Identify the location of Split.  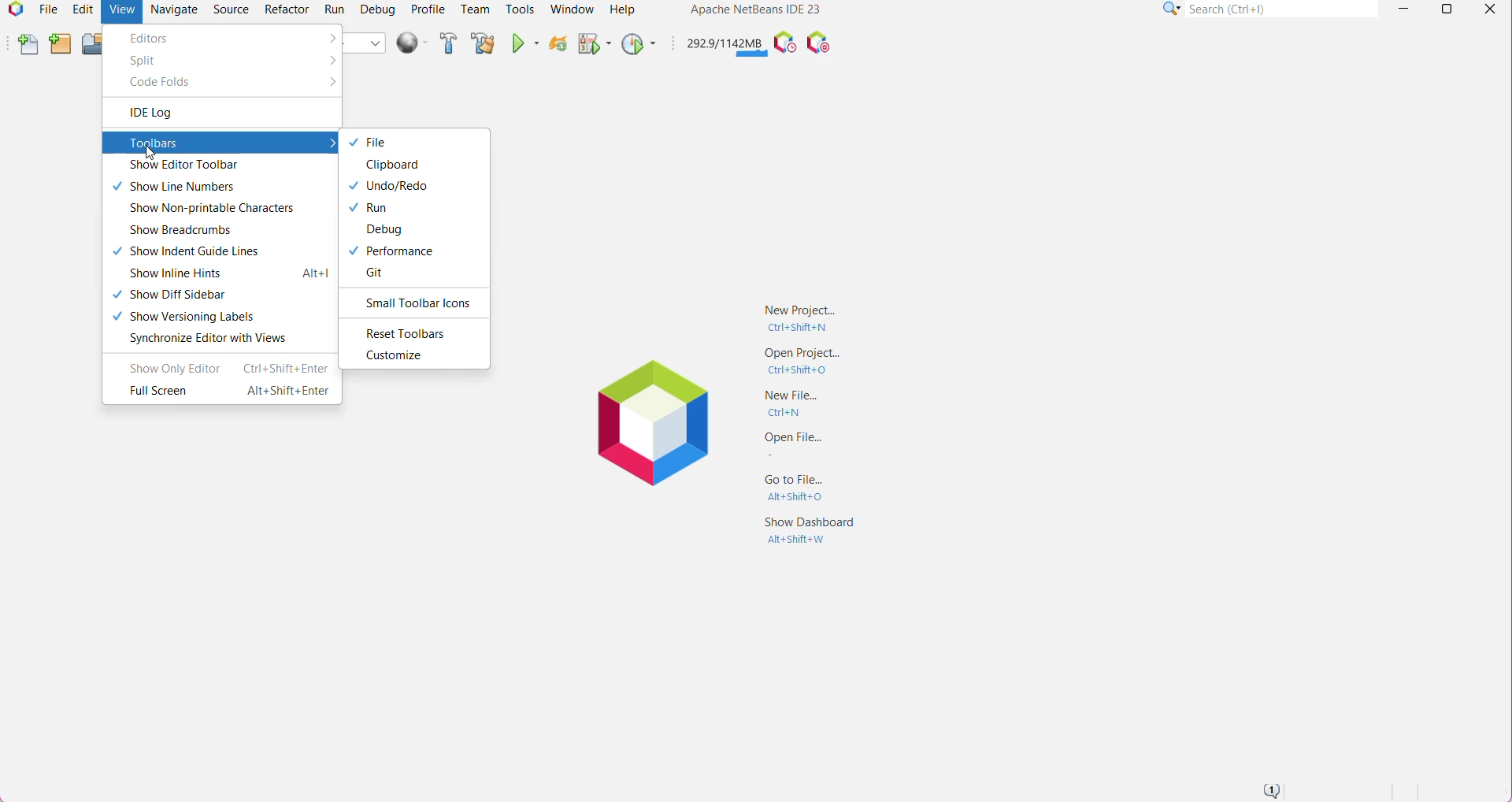
(144, 61).